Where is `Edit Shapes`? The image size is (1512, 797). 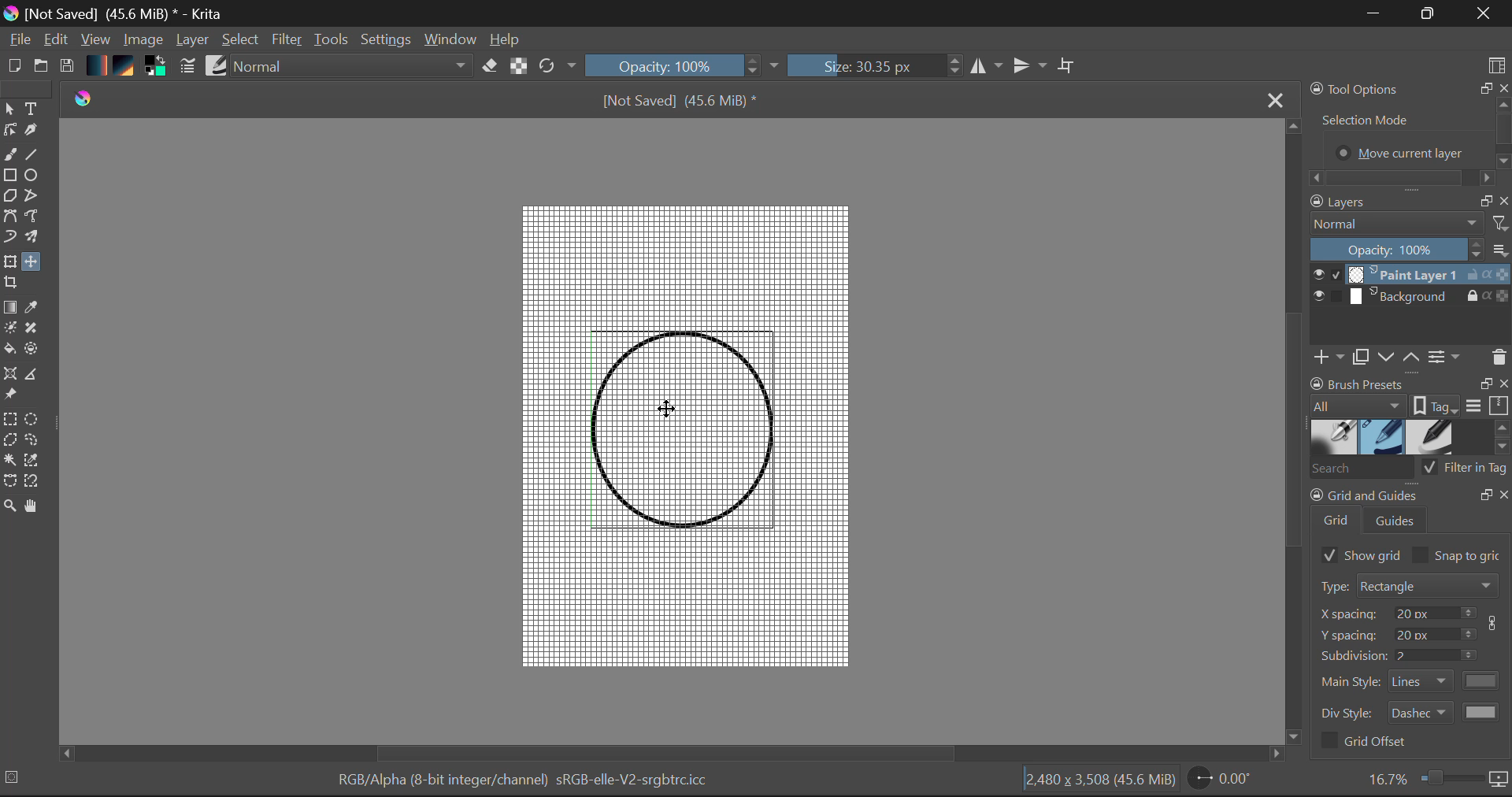 Edit Shapes is located at coordinates (13, 131).